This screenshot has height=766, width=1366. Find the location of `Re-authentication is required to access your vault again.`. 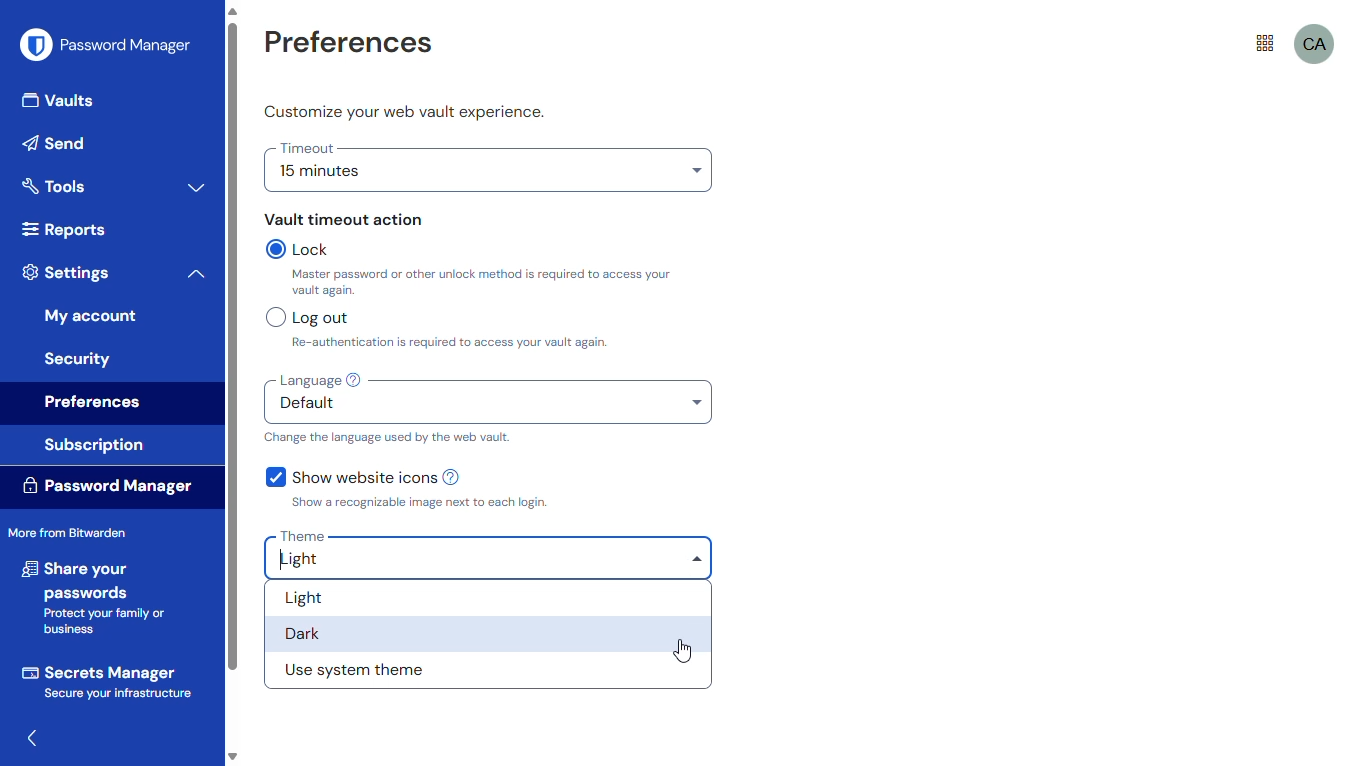

Re-authentication is required to access your vault again. is located at coordinates (533, 342).